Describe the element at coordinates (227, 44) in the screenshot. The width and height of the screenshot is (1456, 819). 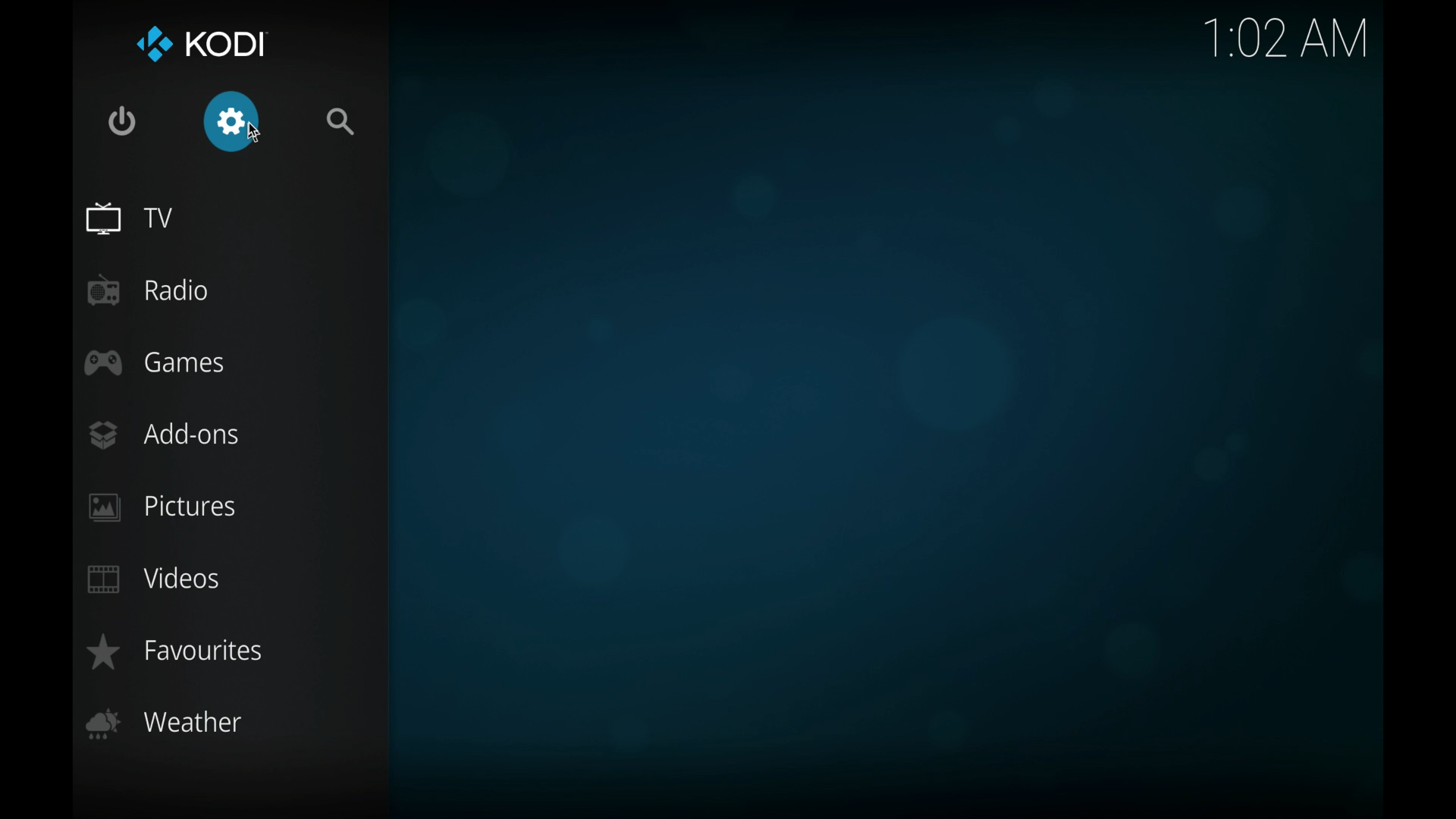
I see `kodi` at that location.